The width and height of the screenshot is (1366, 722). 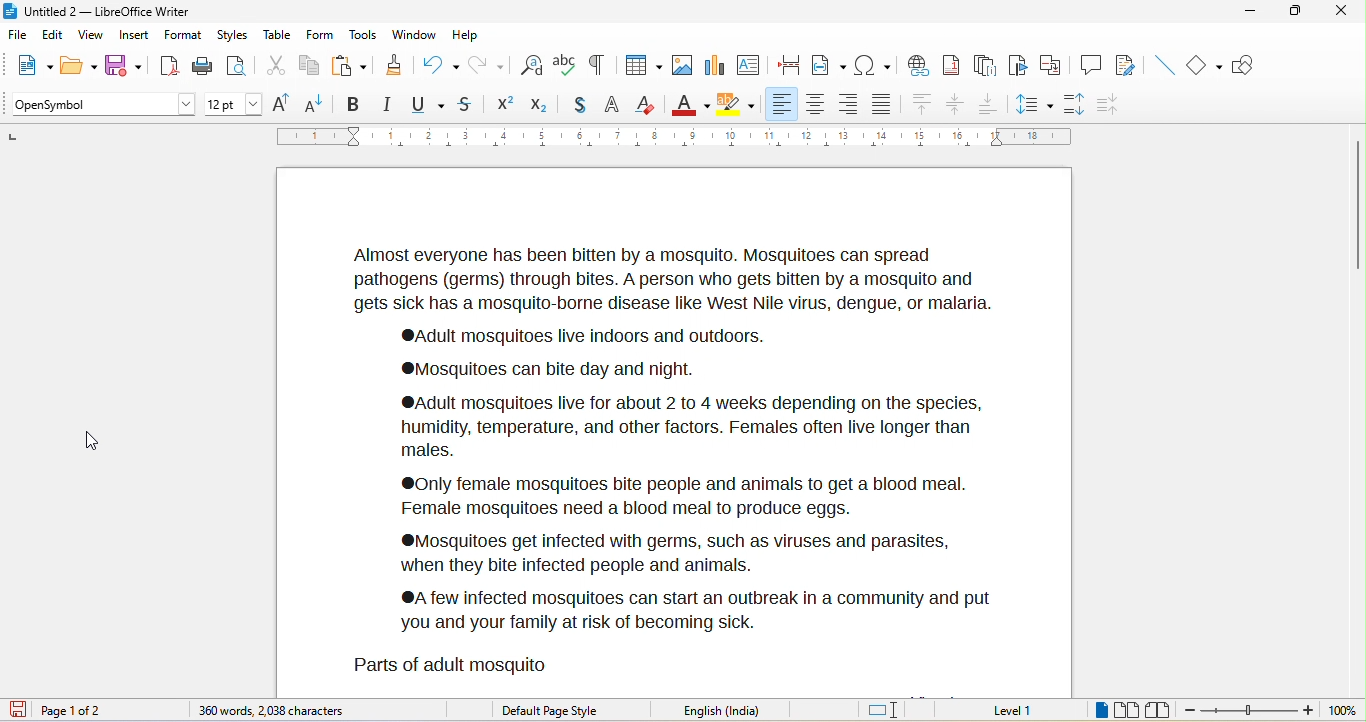 I want to click on align bottom, so click(x=986, y=104).